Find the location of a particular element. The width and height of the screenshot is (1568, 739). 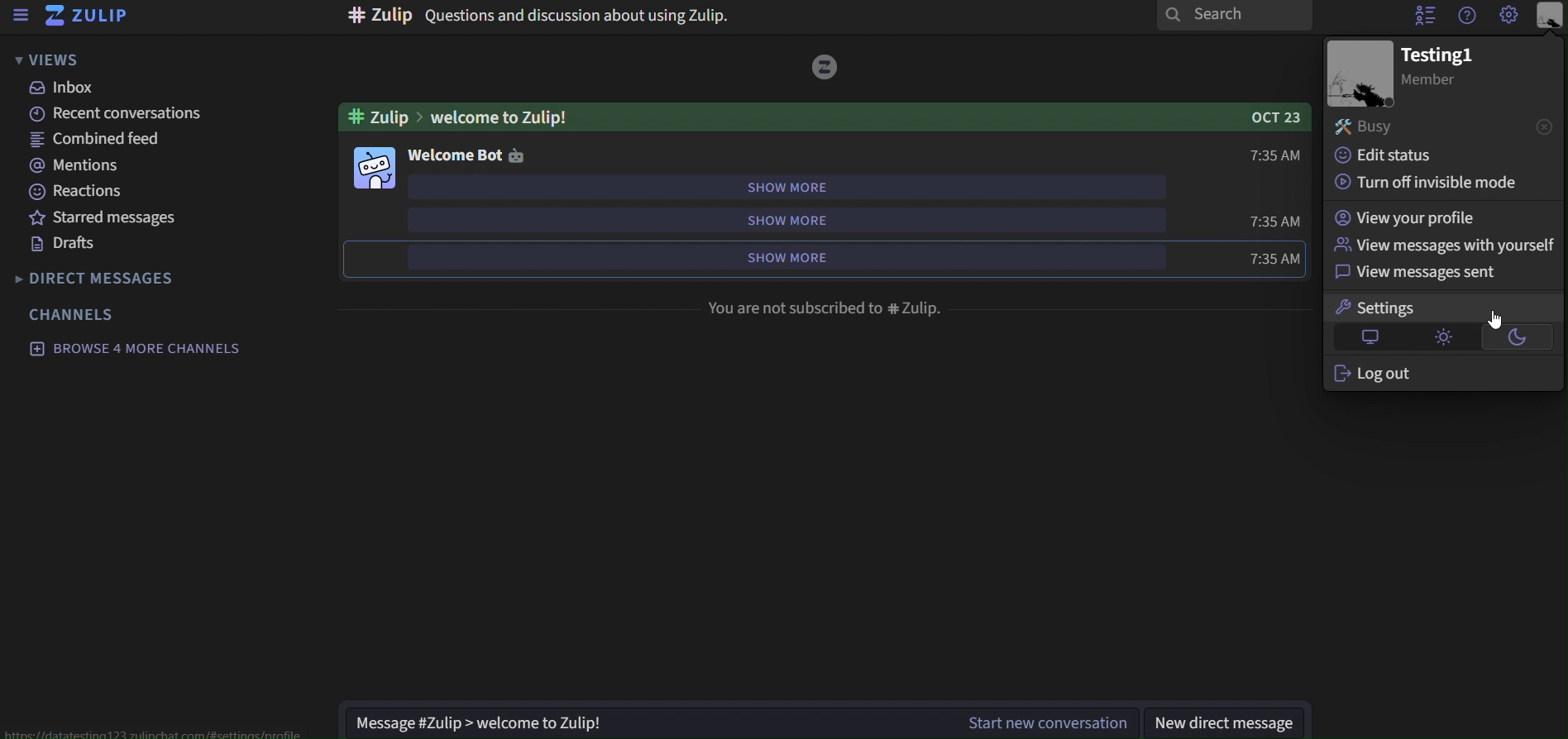

Message #Zulip > welcome to Zulip! is located at coordinates (643, 721).